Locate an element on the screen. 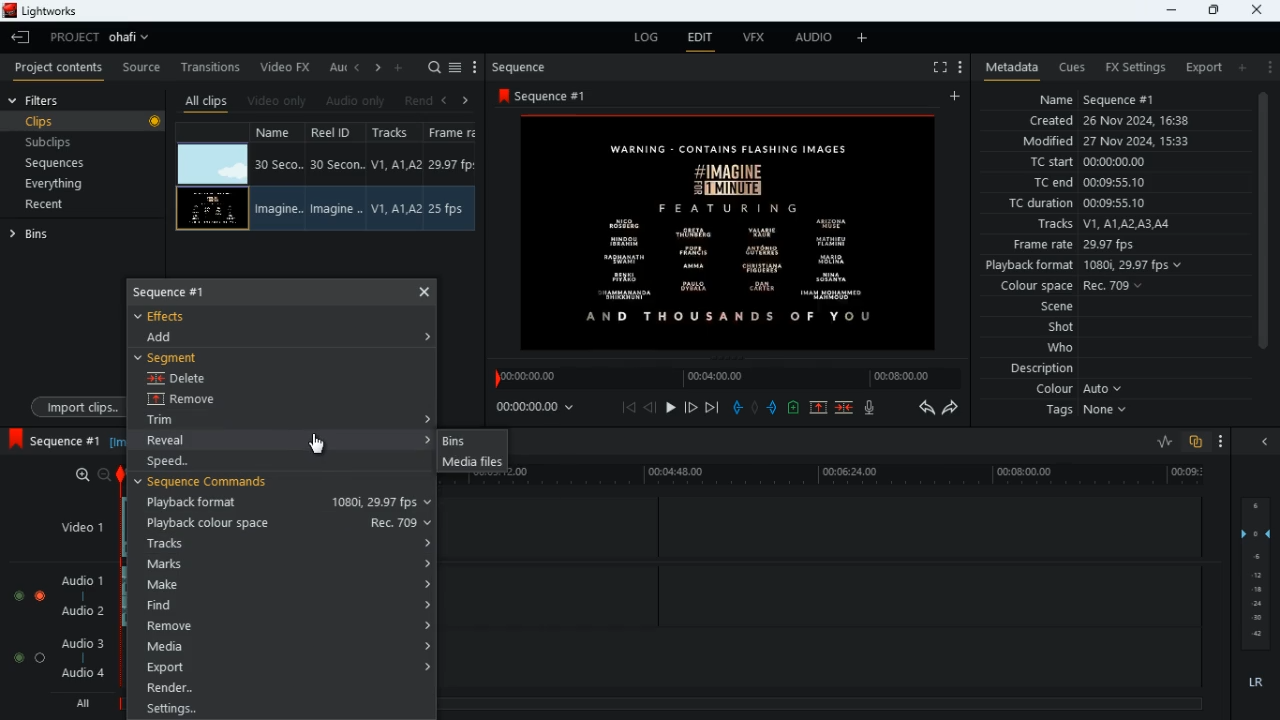  subclips is located at coordinates (76, 142).